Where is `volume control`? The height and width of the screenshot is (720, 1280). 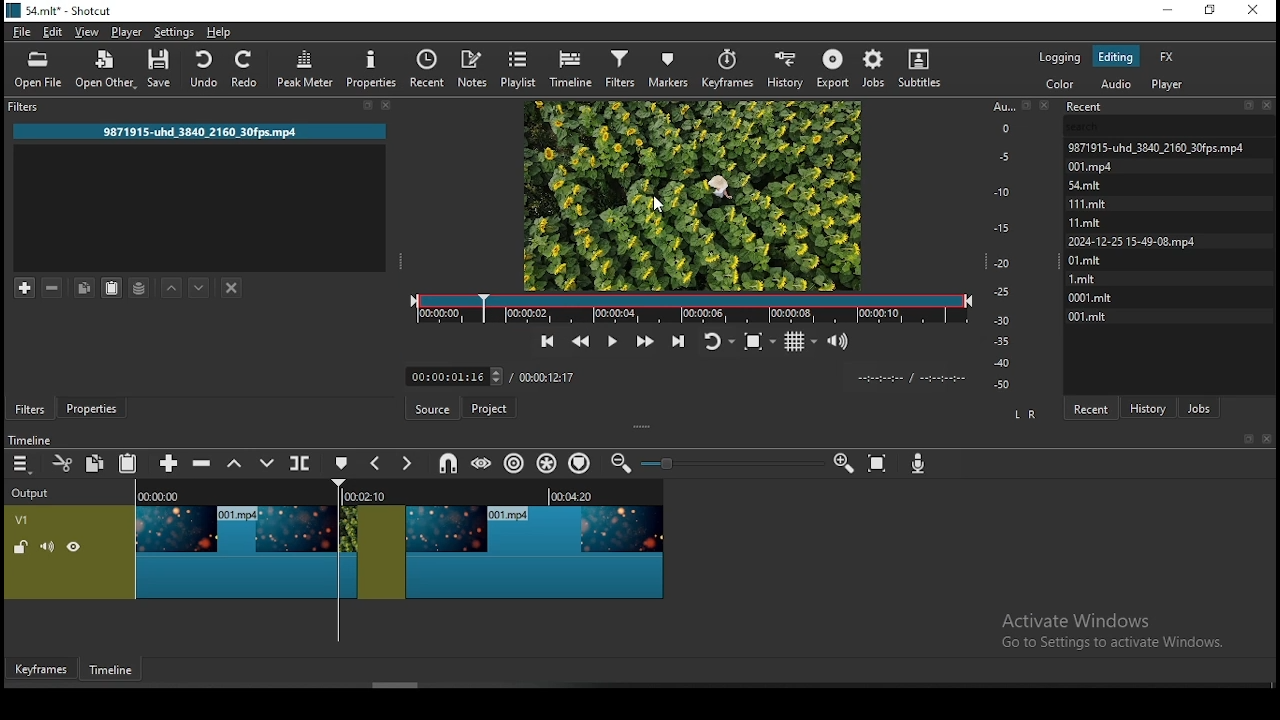
volume control is located at coordinates (840, 342).